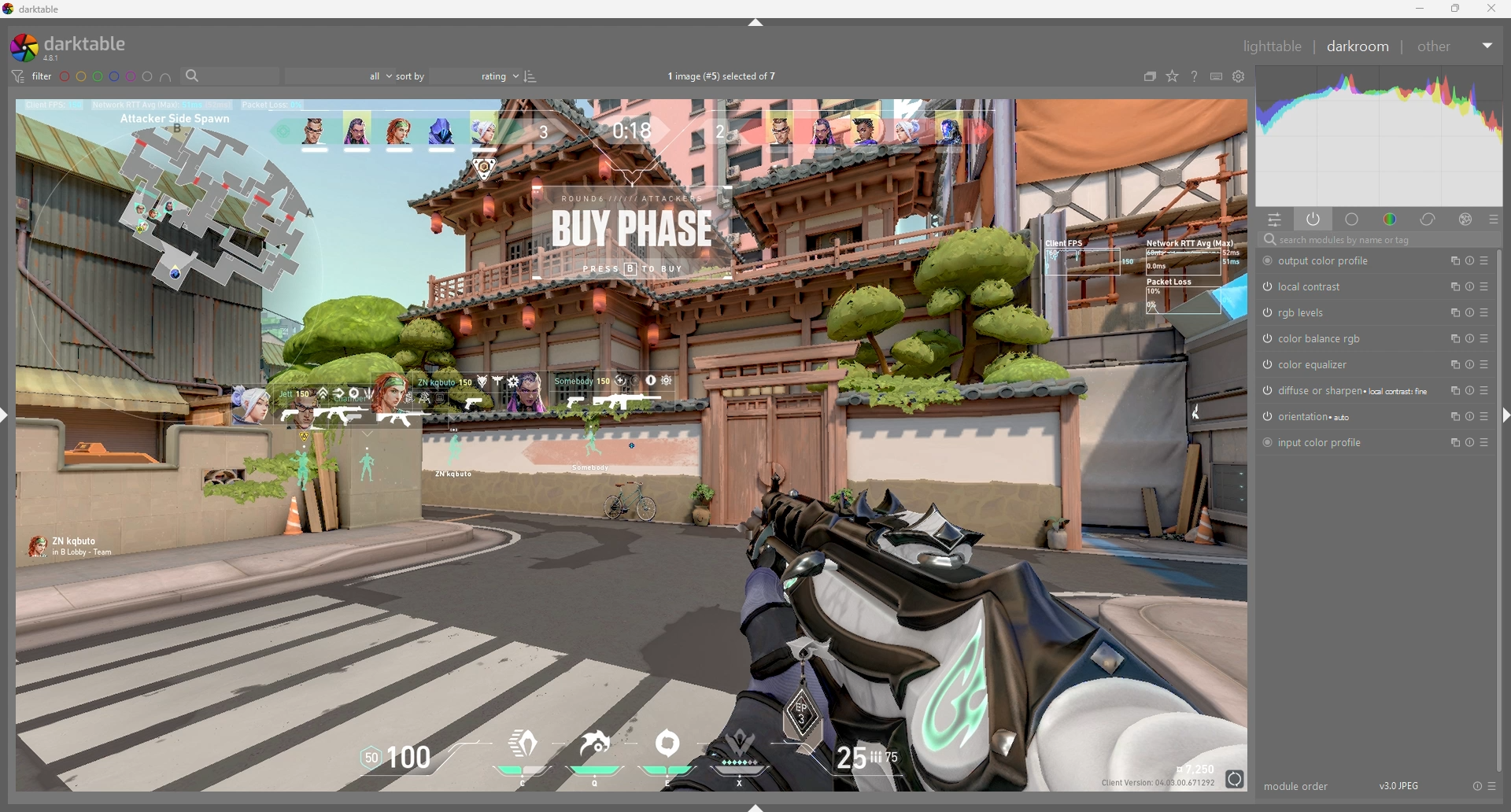 The image size is (1511, 812). What do you see at coordinates (1378, 240) in the screenshot?
I see `search modules` at bounding box center [1378, 240].